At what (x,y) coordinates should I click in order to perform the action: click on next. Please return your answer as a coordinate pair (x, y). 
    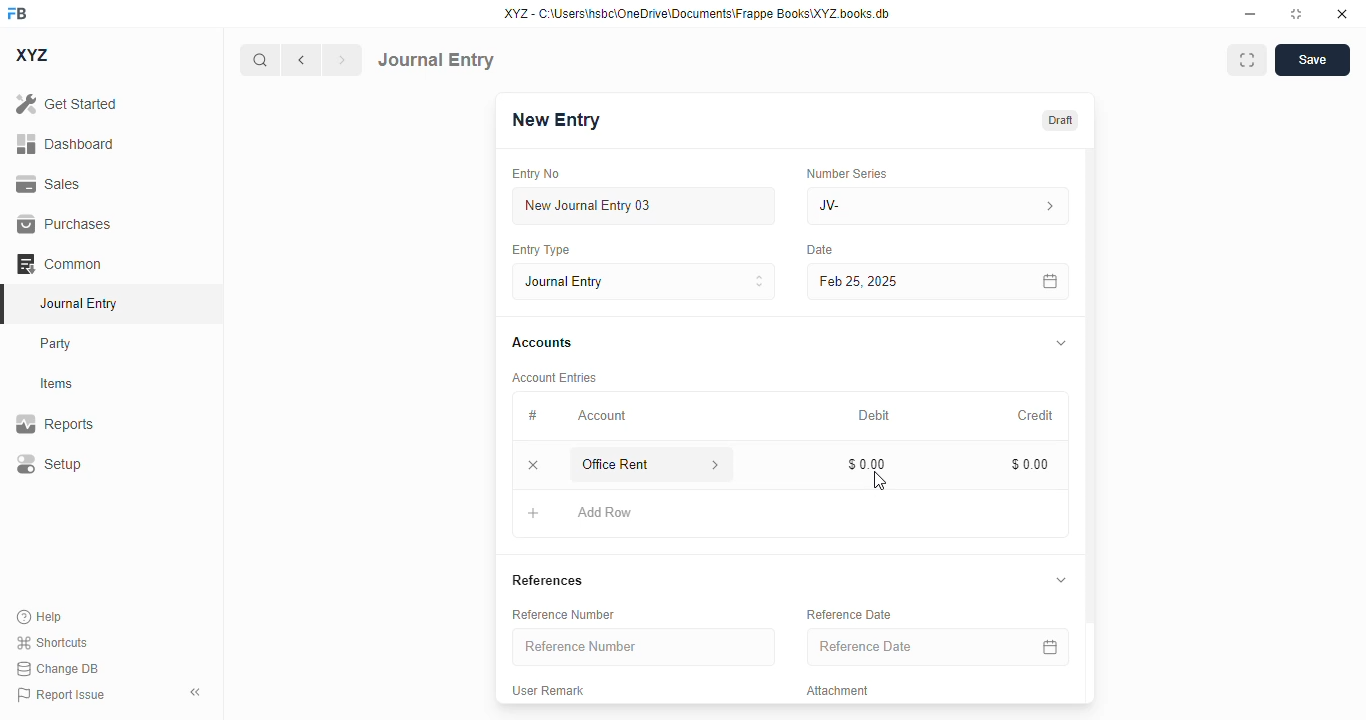
    Looking at the image, I should click on (343, 60).